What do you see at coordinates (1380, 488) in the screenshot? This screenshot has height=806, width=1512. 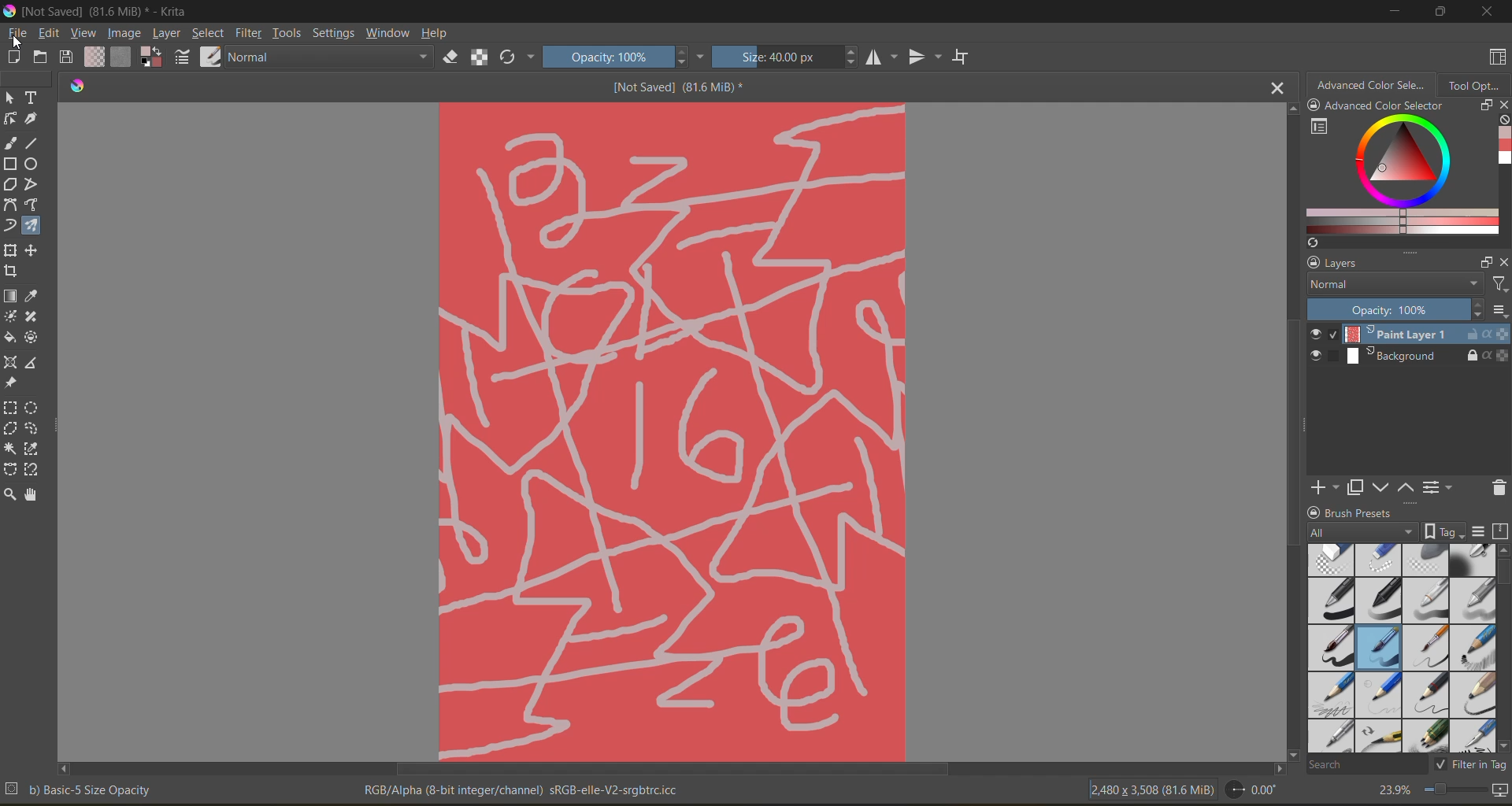 I see `mask down` at bounding box center [1380, 488].